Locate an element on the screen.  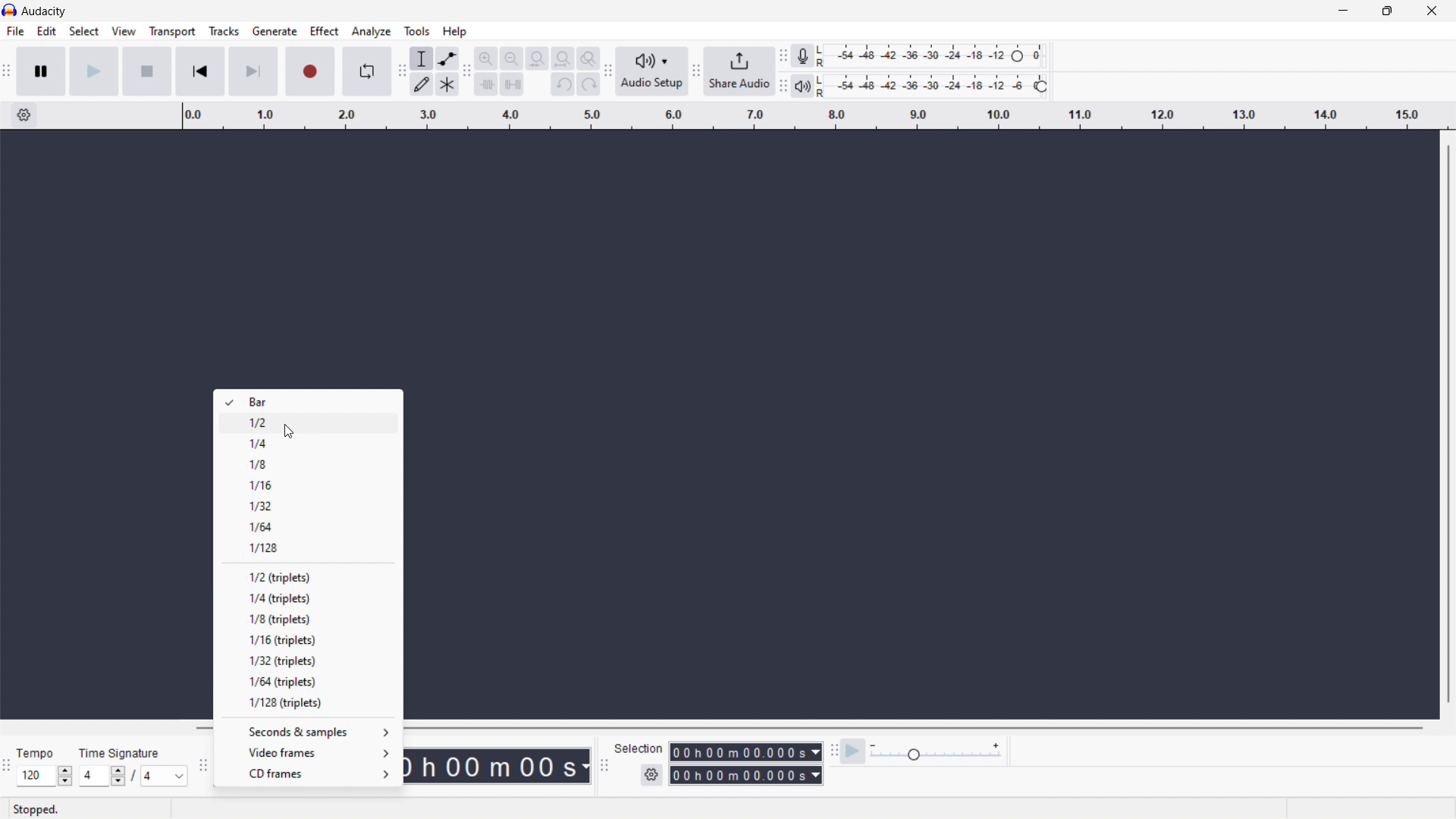
selection end time is located at coordinates (745, 775).